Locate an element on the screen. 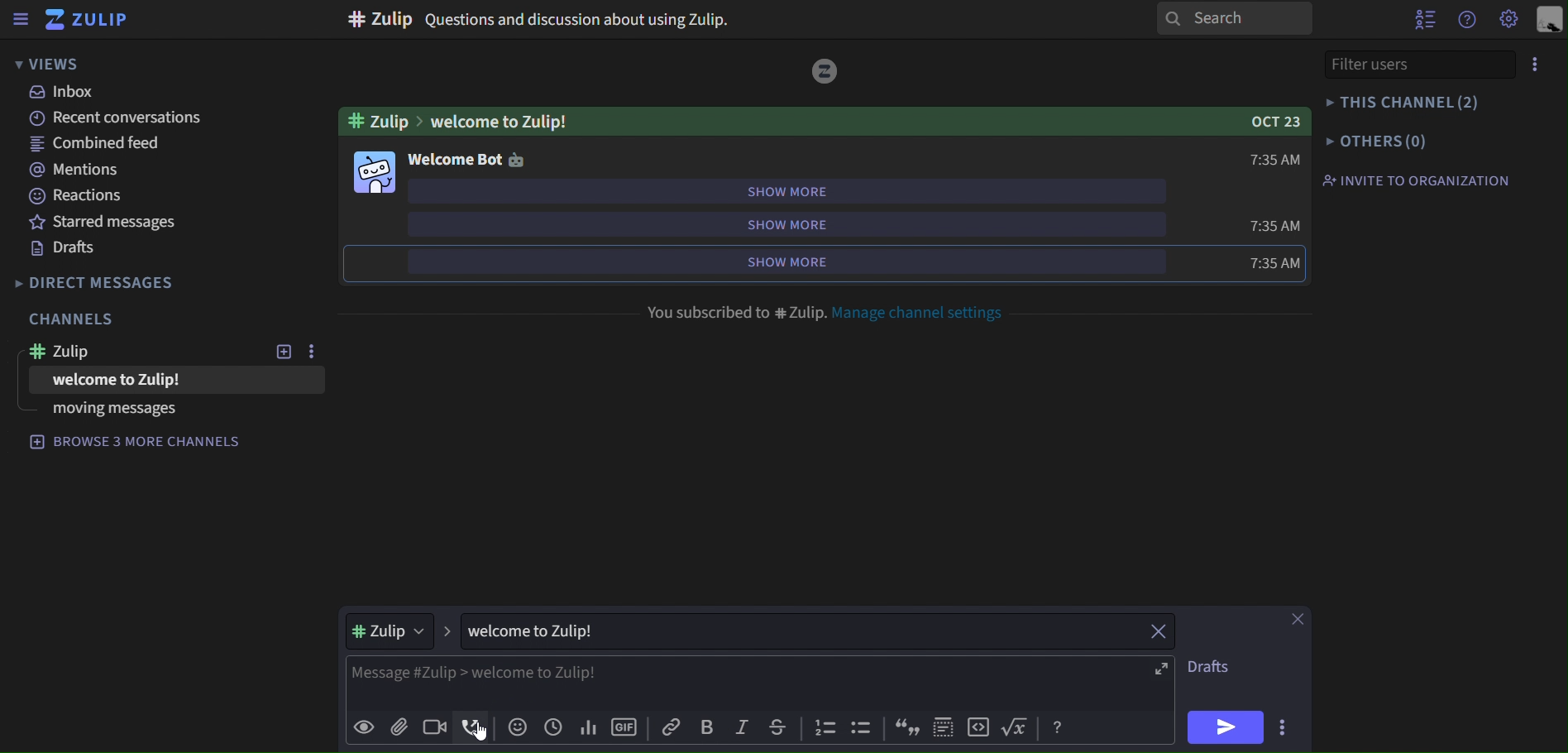  icon is located at coordinates (827, 727).